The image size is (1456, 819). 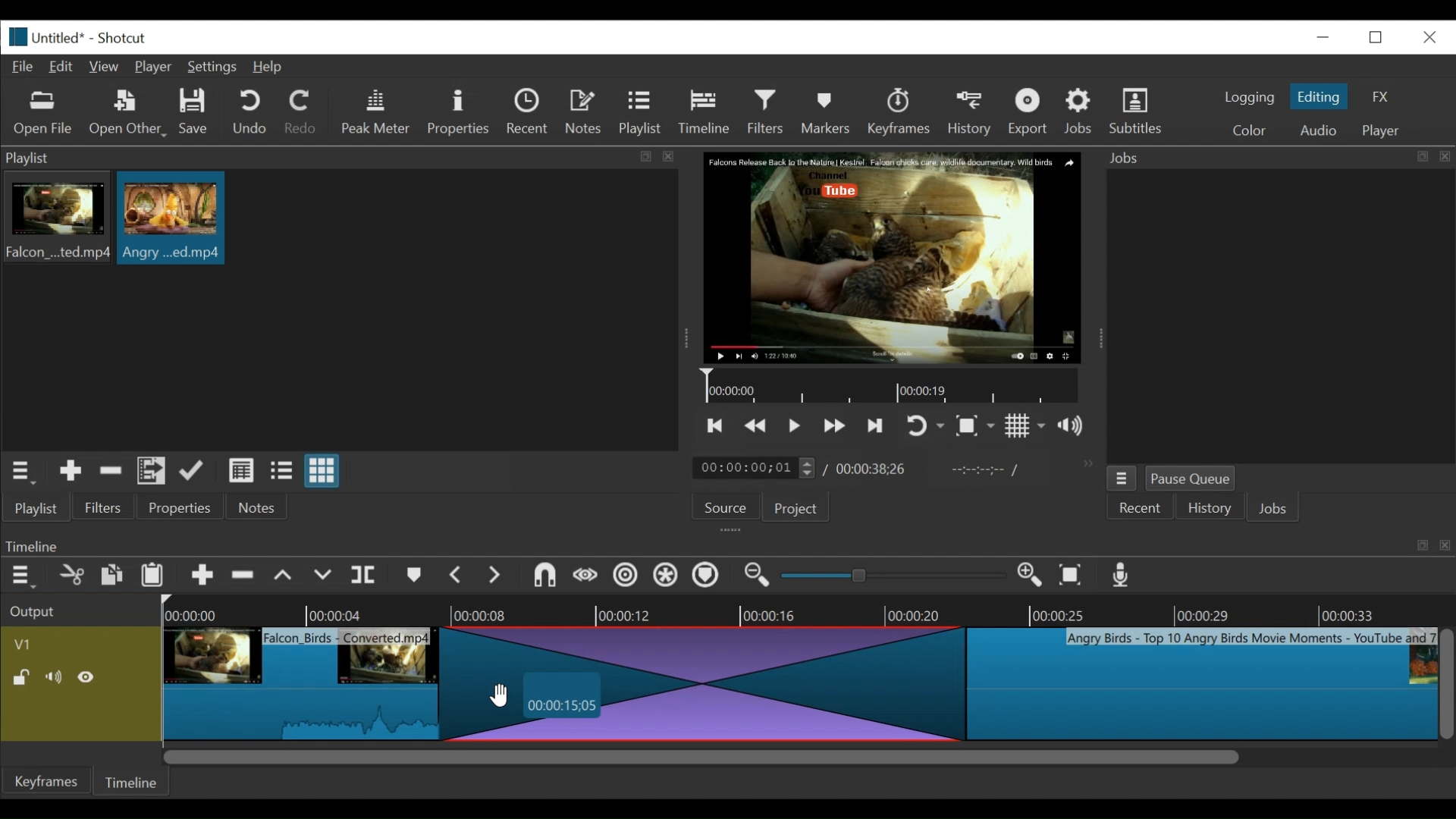 What do you see at coordinates (1248, 132) in the screenshot?
I see `color` at bounding box center [1248, 132].